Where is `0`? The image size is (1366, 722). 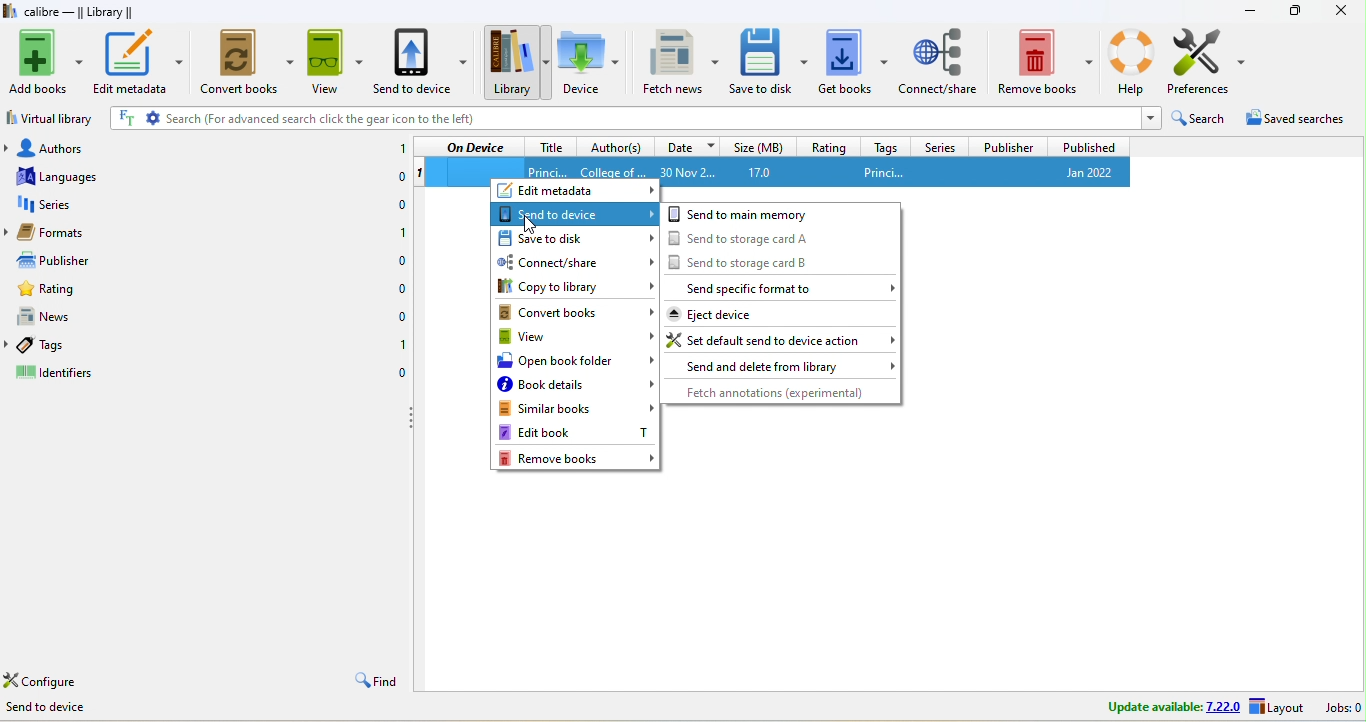 0 is located at coordinates (401, 374).